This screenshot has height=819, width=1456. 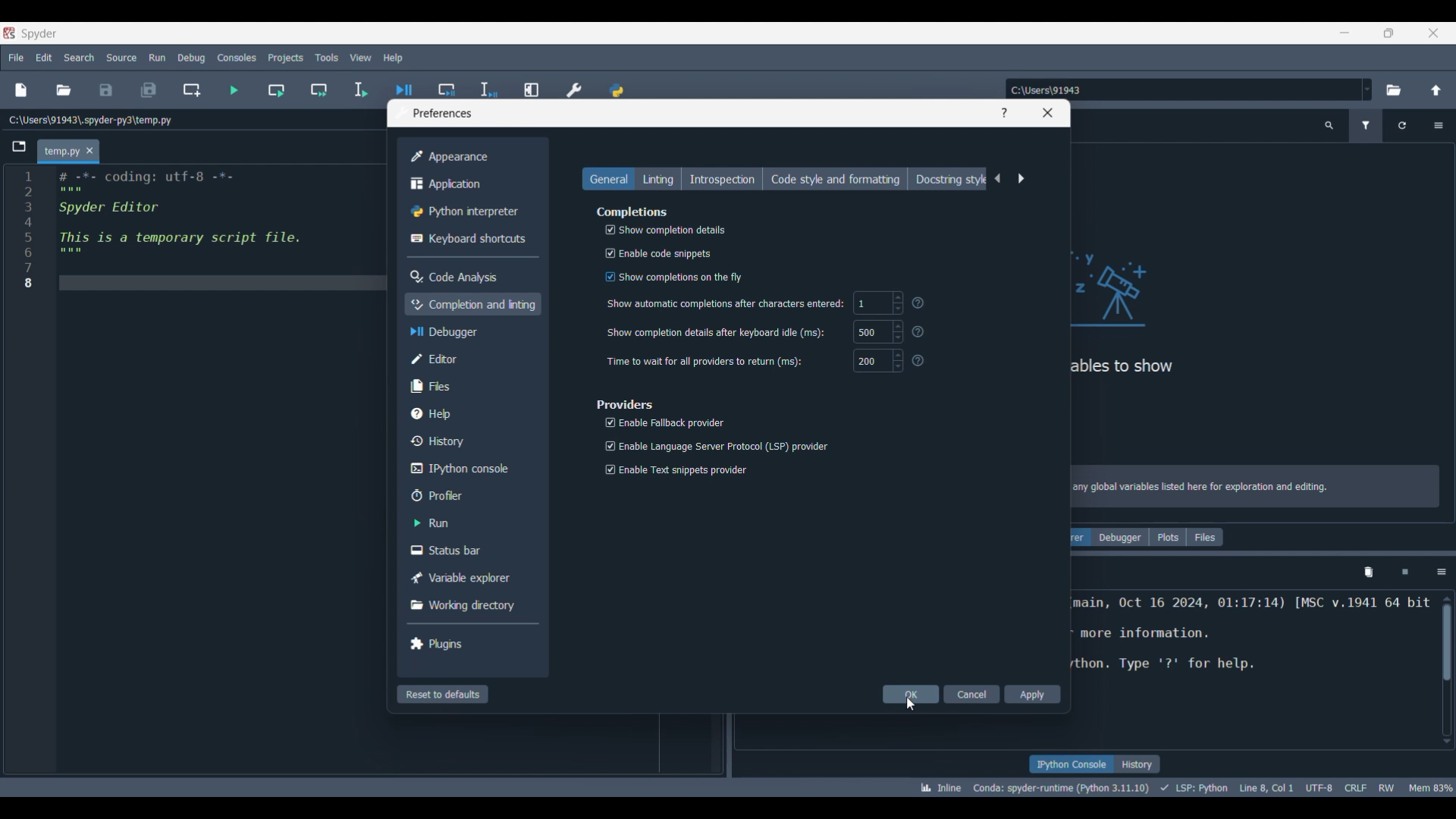 What do you see at coordinates (89, 150) in the screenshot?
I see `Close tab` at bounding box center [89, 150].